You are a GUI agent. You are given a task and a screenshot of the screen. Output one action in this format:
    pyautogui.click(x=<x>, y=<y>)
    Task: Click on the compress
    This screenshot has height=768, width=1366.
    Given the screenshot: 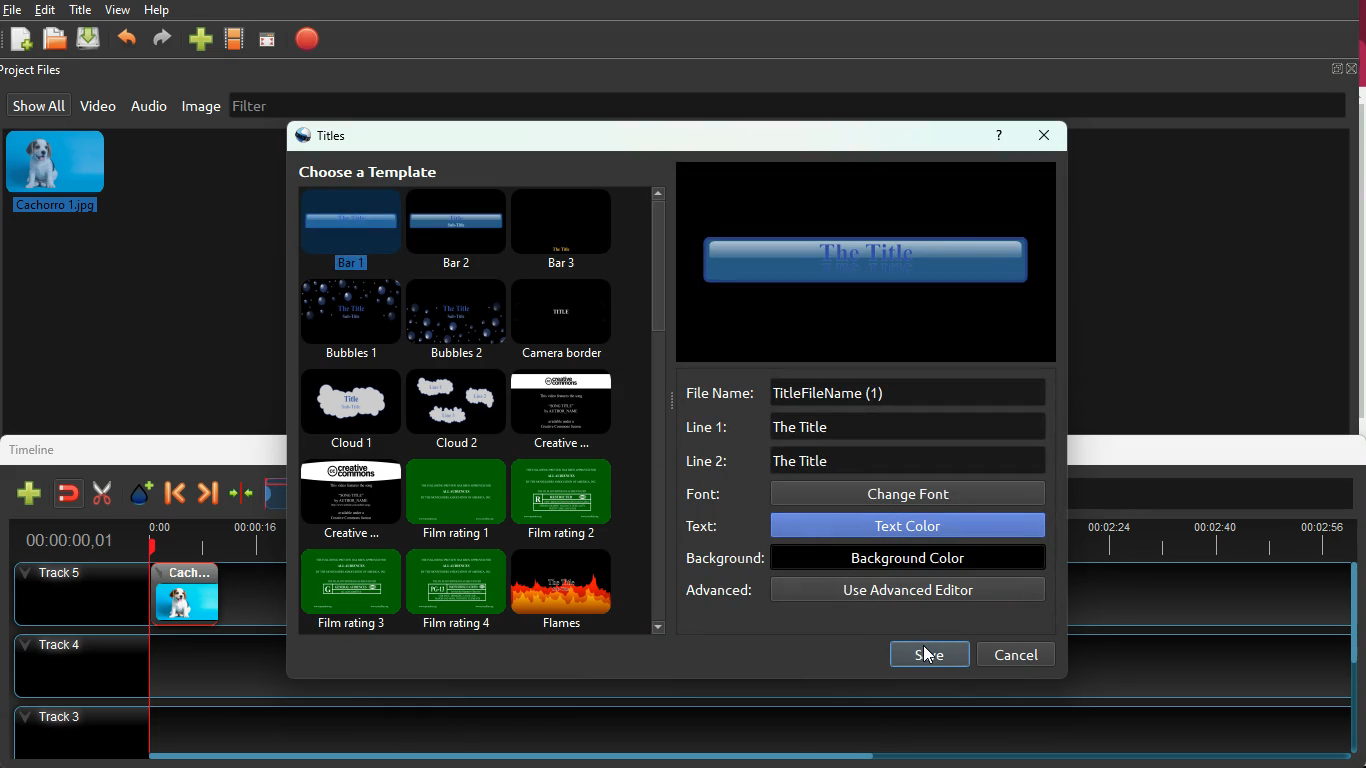 What is the action you would take?
    pyautogui.click(x=241, y=496)
    